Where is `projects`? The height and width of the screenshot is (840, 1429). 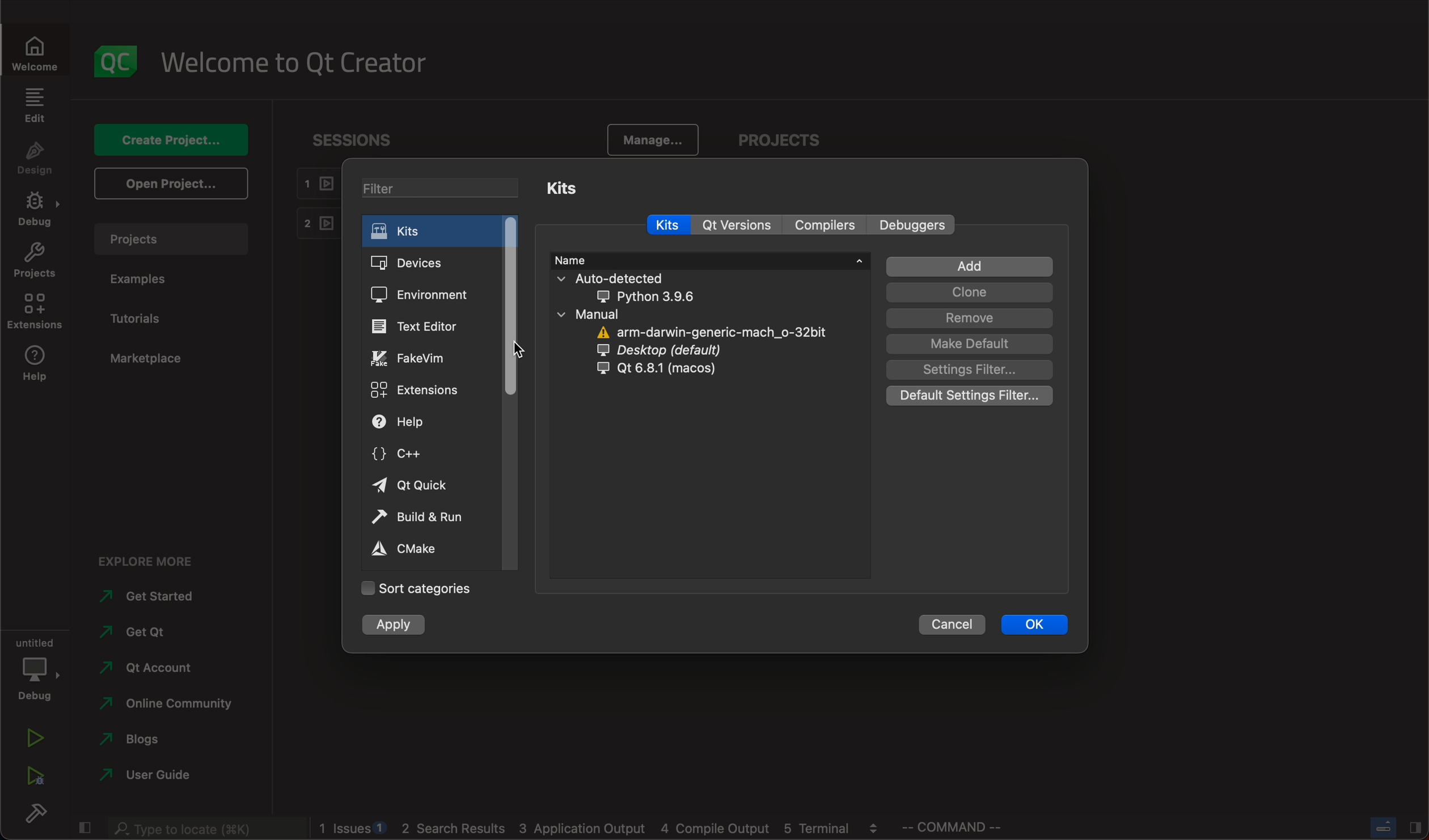 projects is located at coordinates (780, 138).